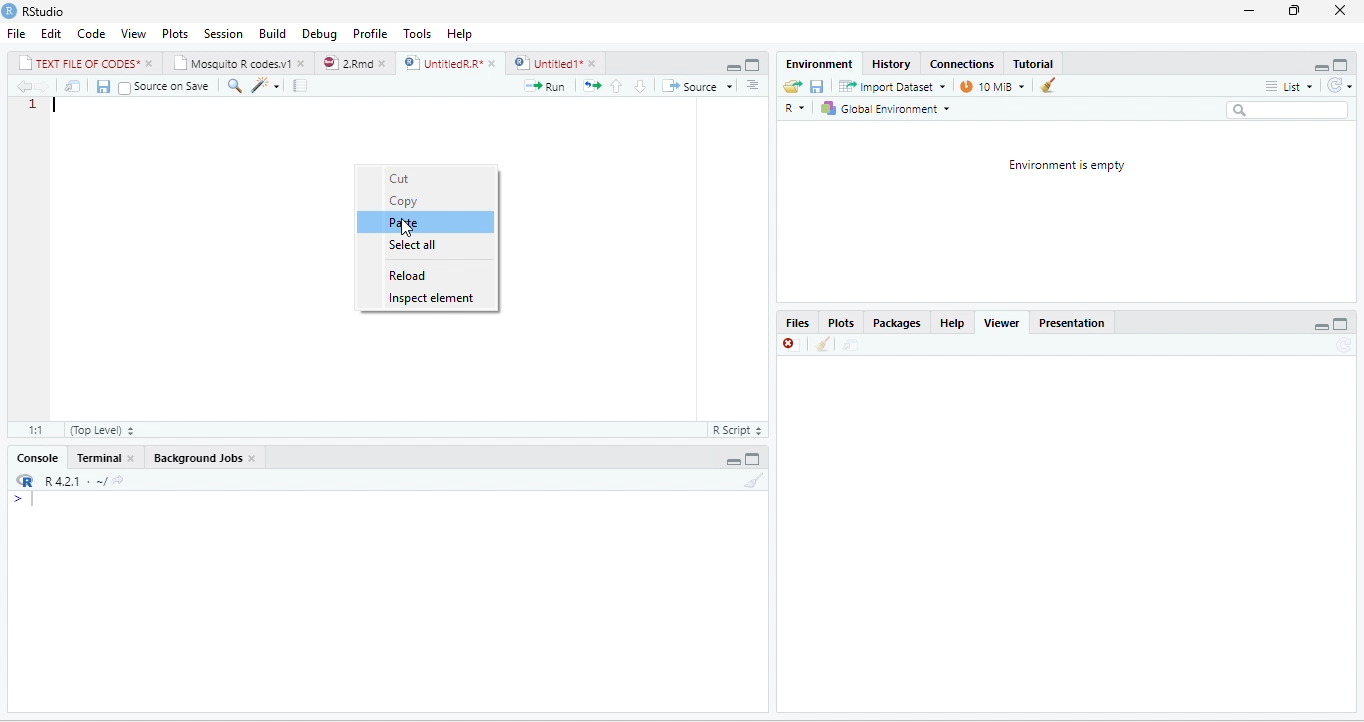  Describe the element at coordinates (590, 86) in the screenshot. I see `re-run the previous code region` at that location.